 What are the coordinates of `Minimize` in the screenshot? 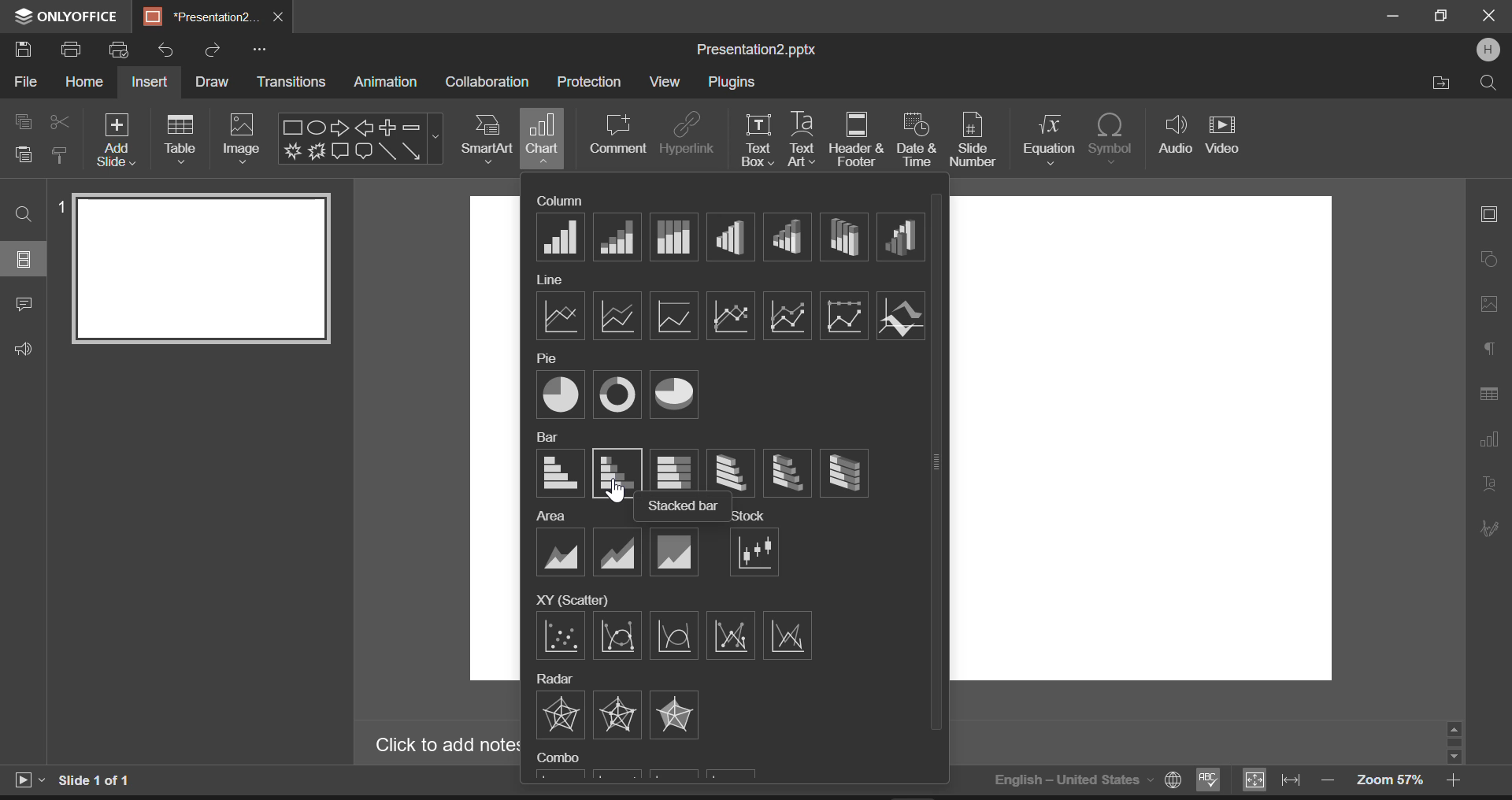 It's located at (1443, 17).